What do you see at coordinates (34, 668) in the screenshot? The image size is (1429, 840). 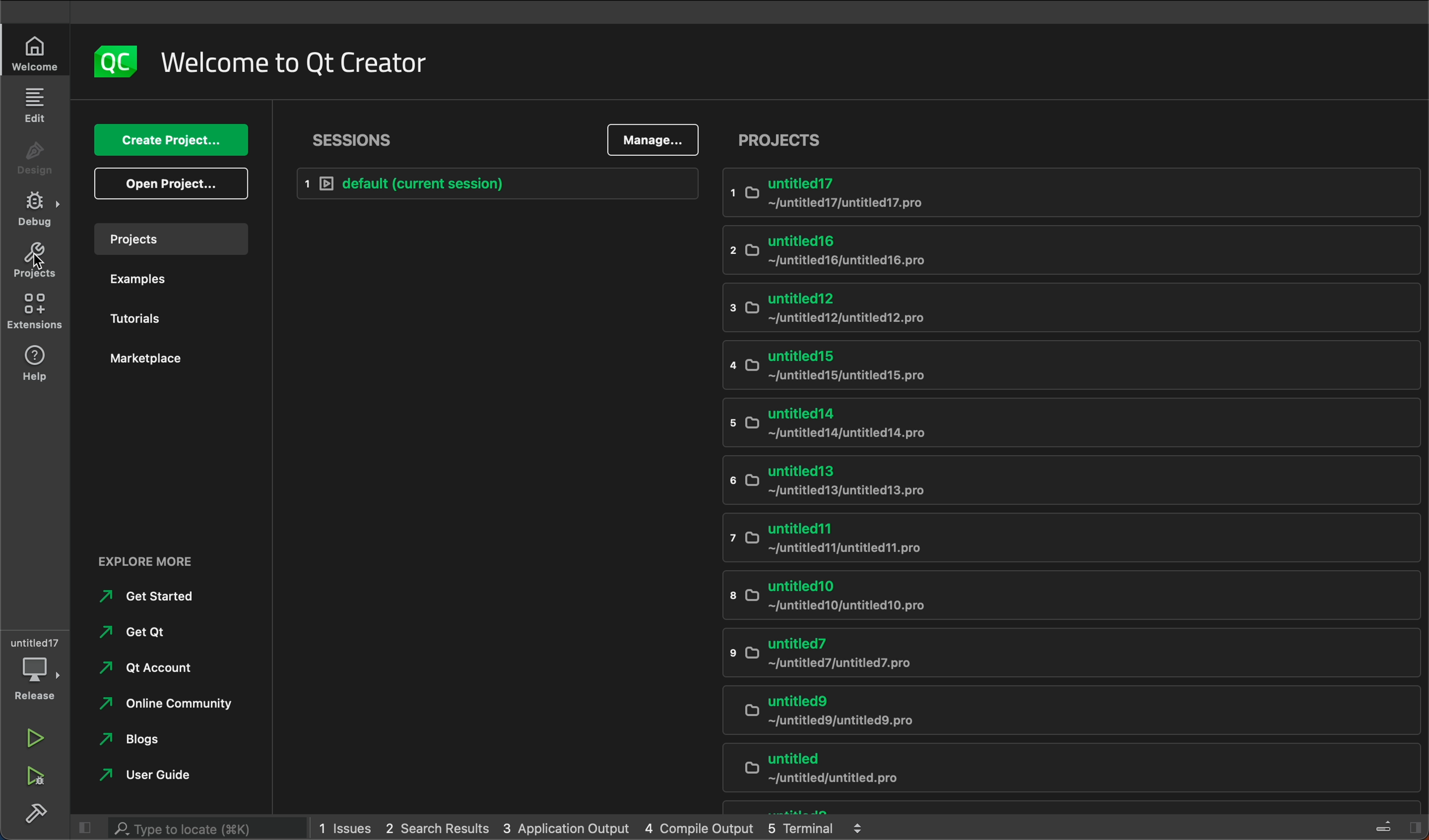 I see `debugger` at bounding box center [34, 668].